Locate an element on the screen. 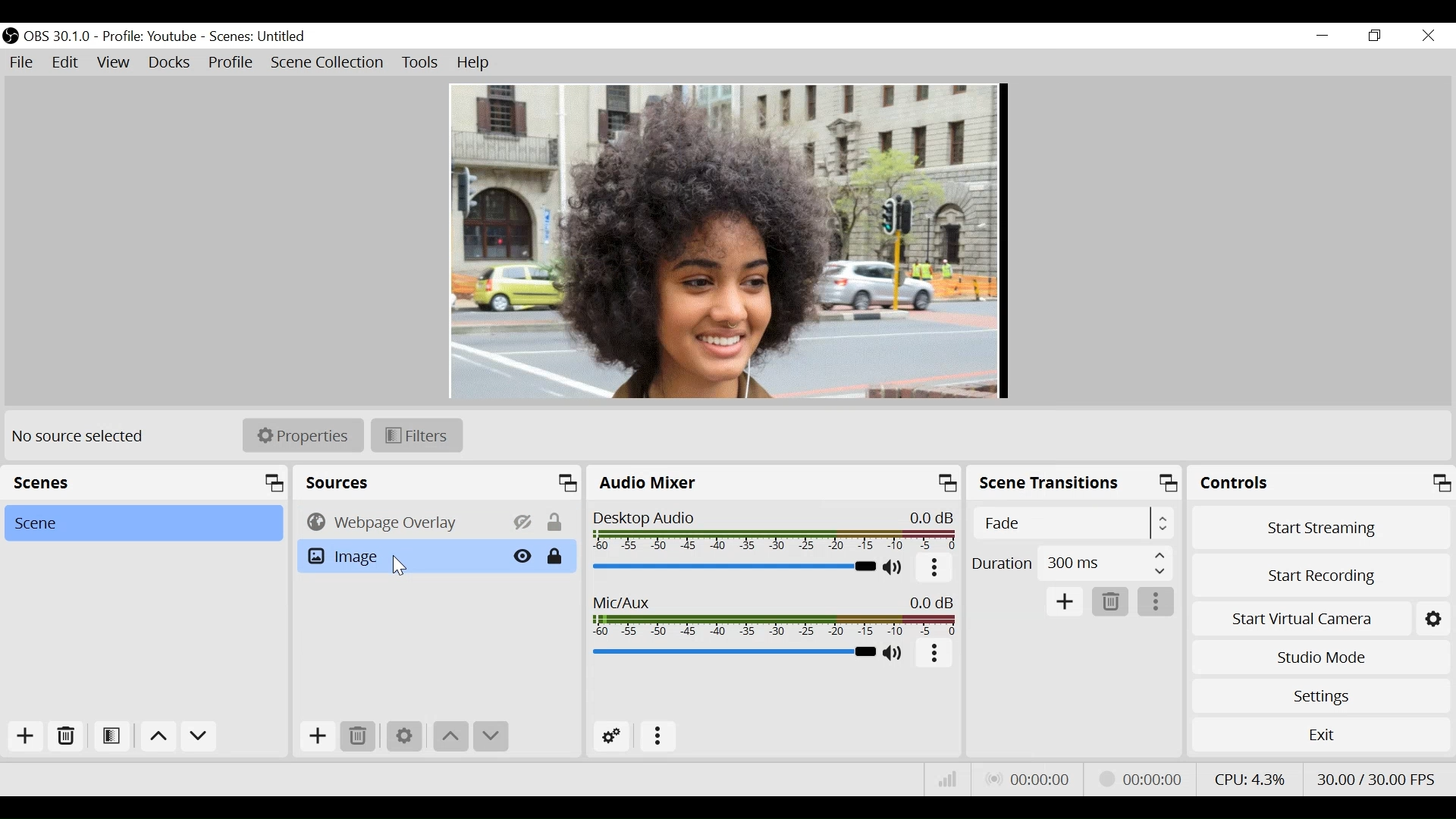  more options is located at coordinates (935, 654).